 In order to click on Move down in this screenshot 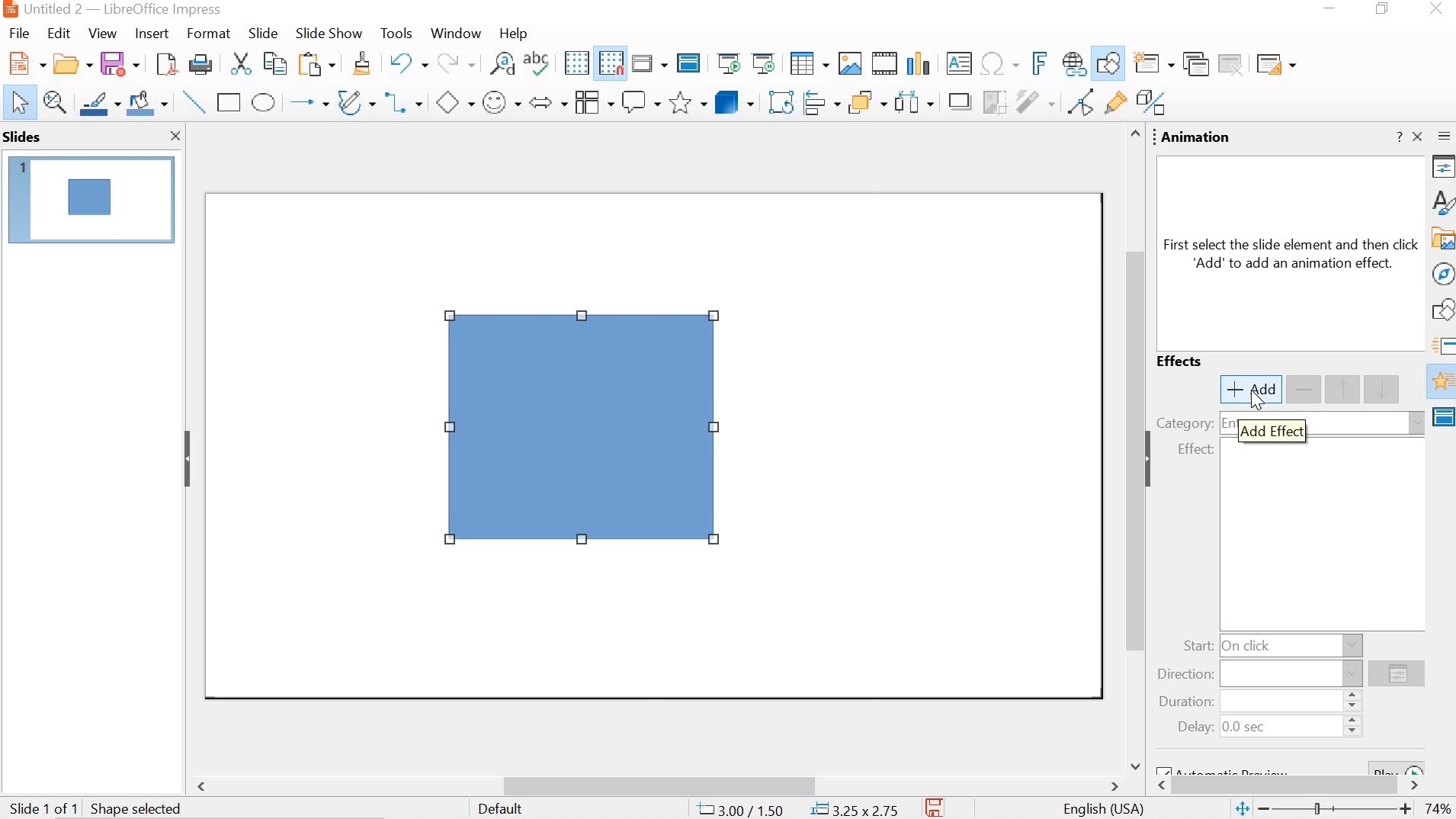, I will do `click(1134, 763)`.